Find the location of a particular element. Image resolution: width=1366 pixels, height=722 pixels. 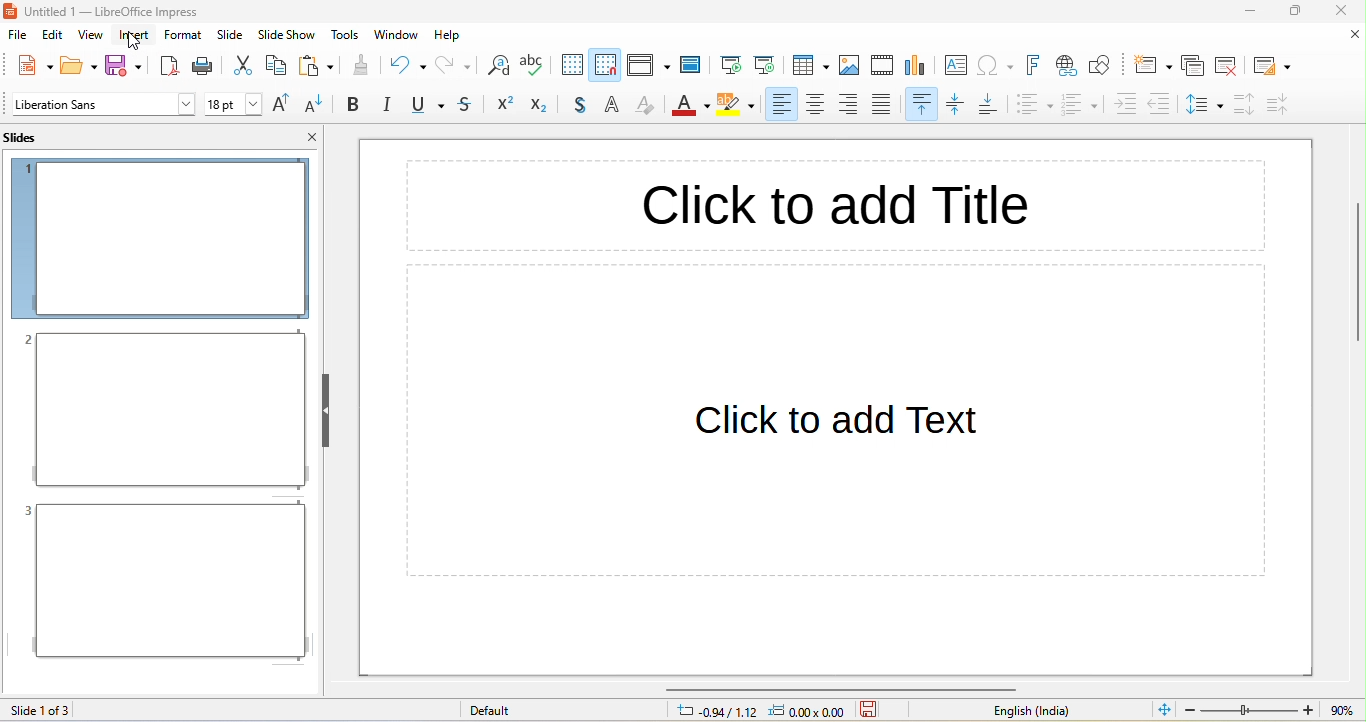

click to save the document is located at coordinates (870, 712).